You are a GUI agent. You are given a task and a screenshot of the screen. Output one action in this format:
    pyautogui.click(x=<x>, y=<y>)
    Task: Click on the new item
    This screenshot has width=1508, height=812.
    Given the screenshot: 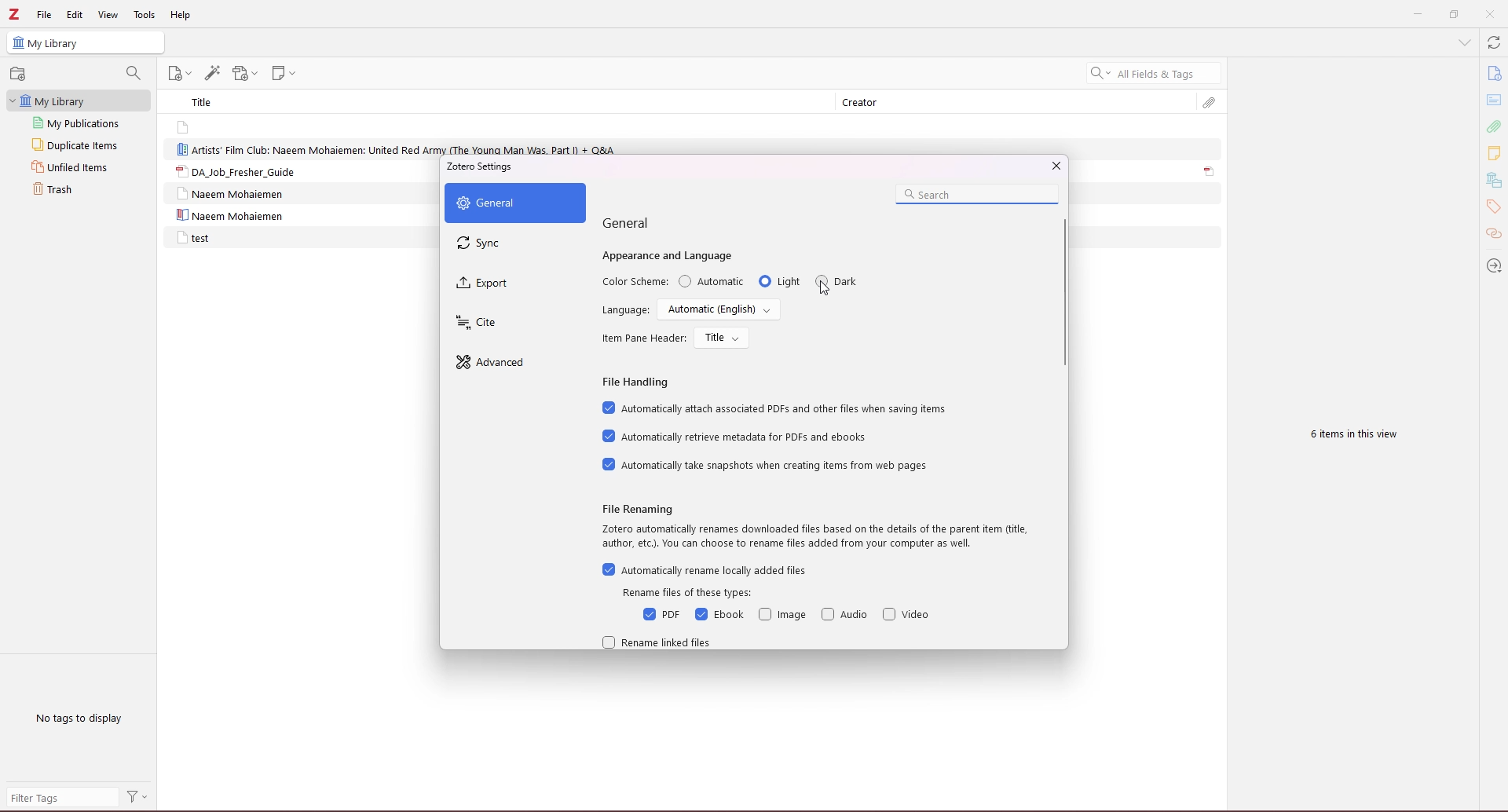 What is the action you would take?
    pyautogui.click(x=182, y=74)
    